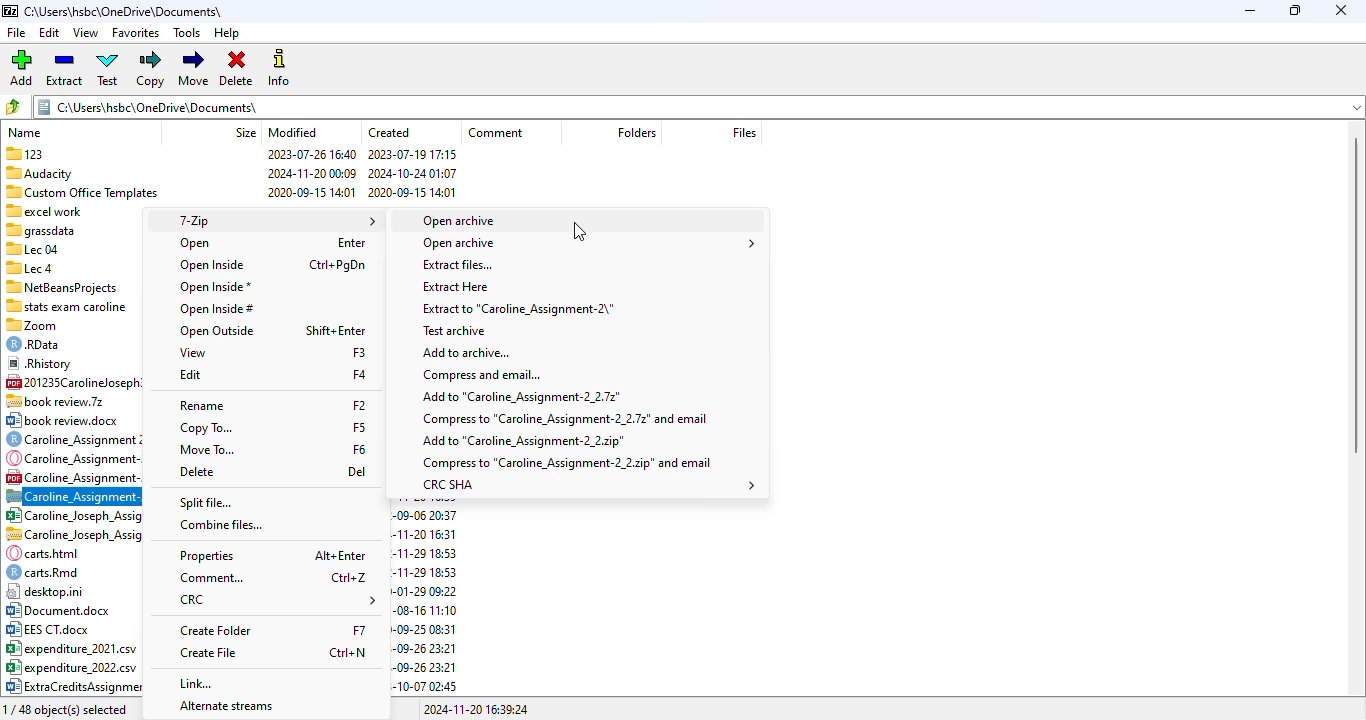  What do you see at coordinates (203, 427) in the screenshot?
I see `copy to` at bounding box center [203, 427].